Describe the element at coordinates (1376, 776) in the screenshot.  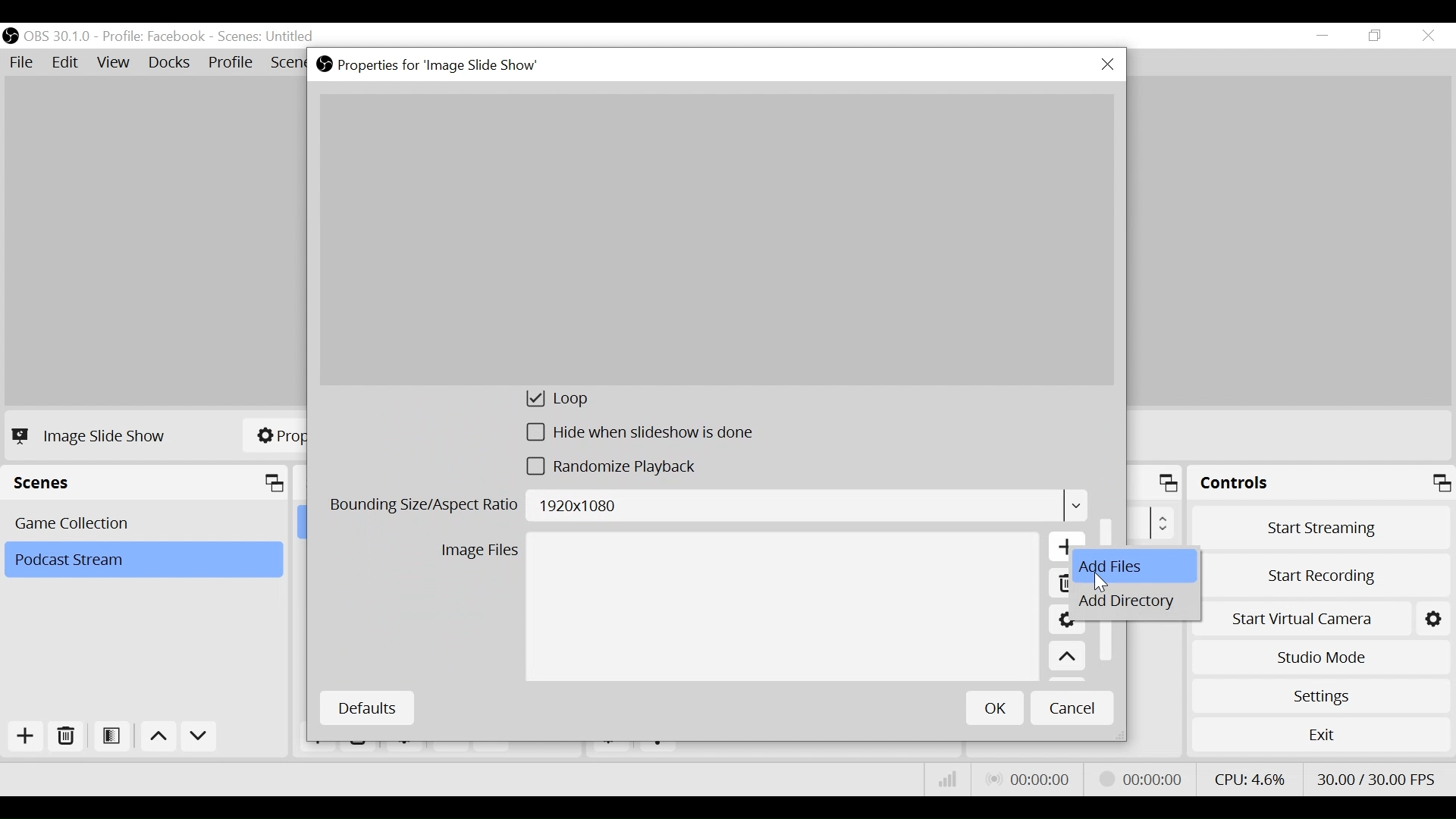
I see `Frame Per Second` at that location.